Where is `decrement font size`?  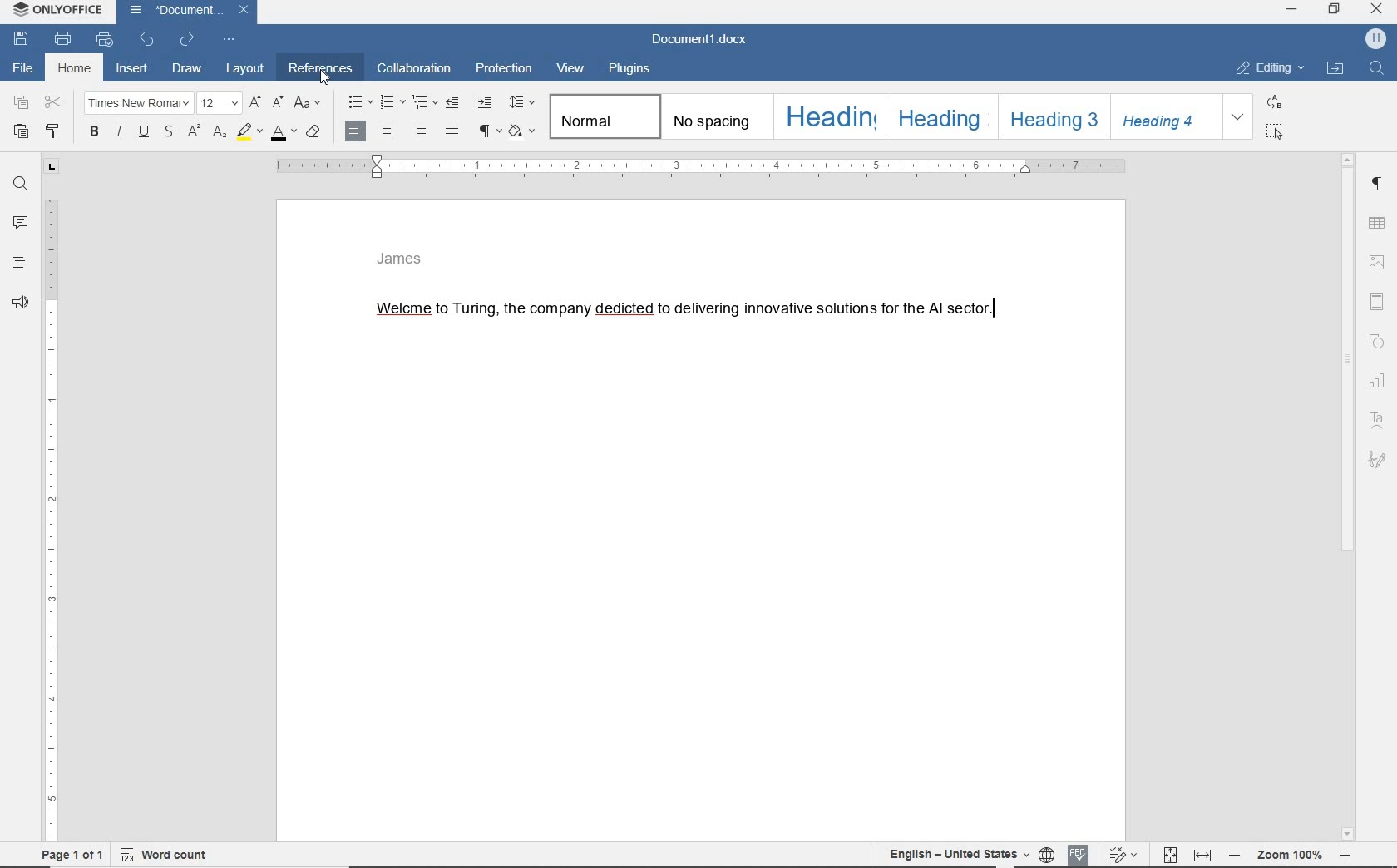
decrement font size is located at coordinates (277, 103).